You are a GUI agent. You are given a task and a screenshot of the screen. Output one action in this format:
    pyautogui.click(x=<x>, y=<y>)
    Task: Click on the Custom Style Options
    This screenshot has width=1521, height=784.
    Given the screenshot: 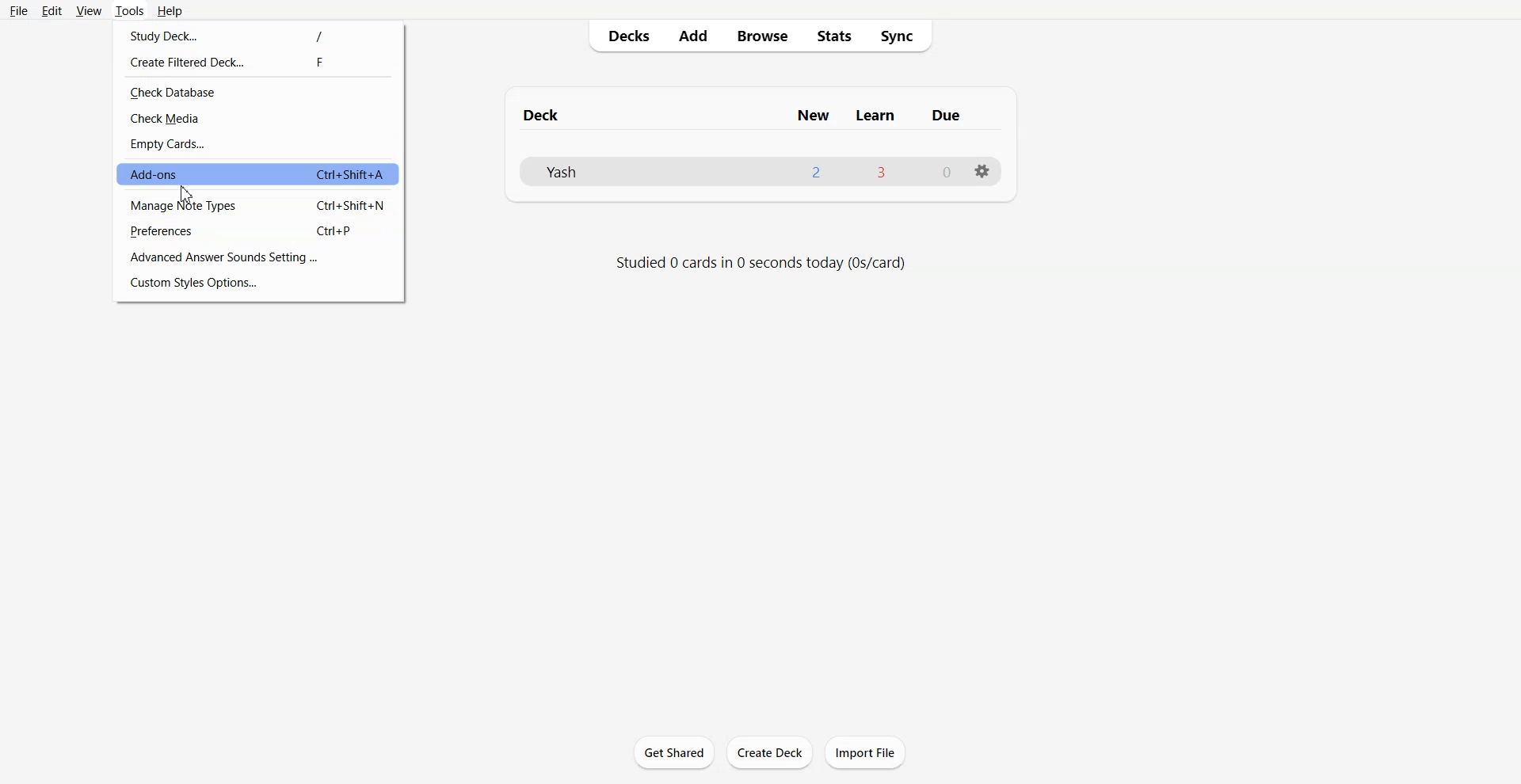 What is the action you would take?
    pyautogui.click(x=258, y=284)
    